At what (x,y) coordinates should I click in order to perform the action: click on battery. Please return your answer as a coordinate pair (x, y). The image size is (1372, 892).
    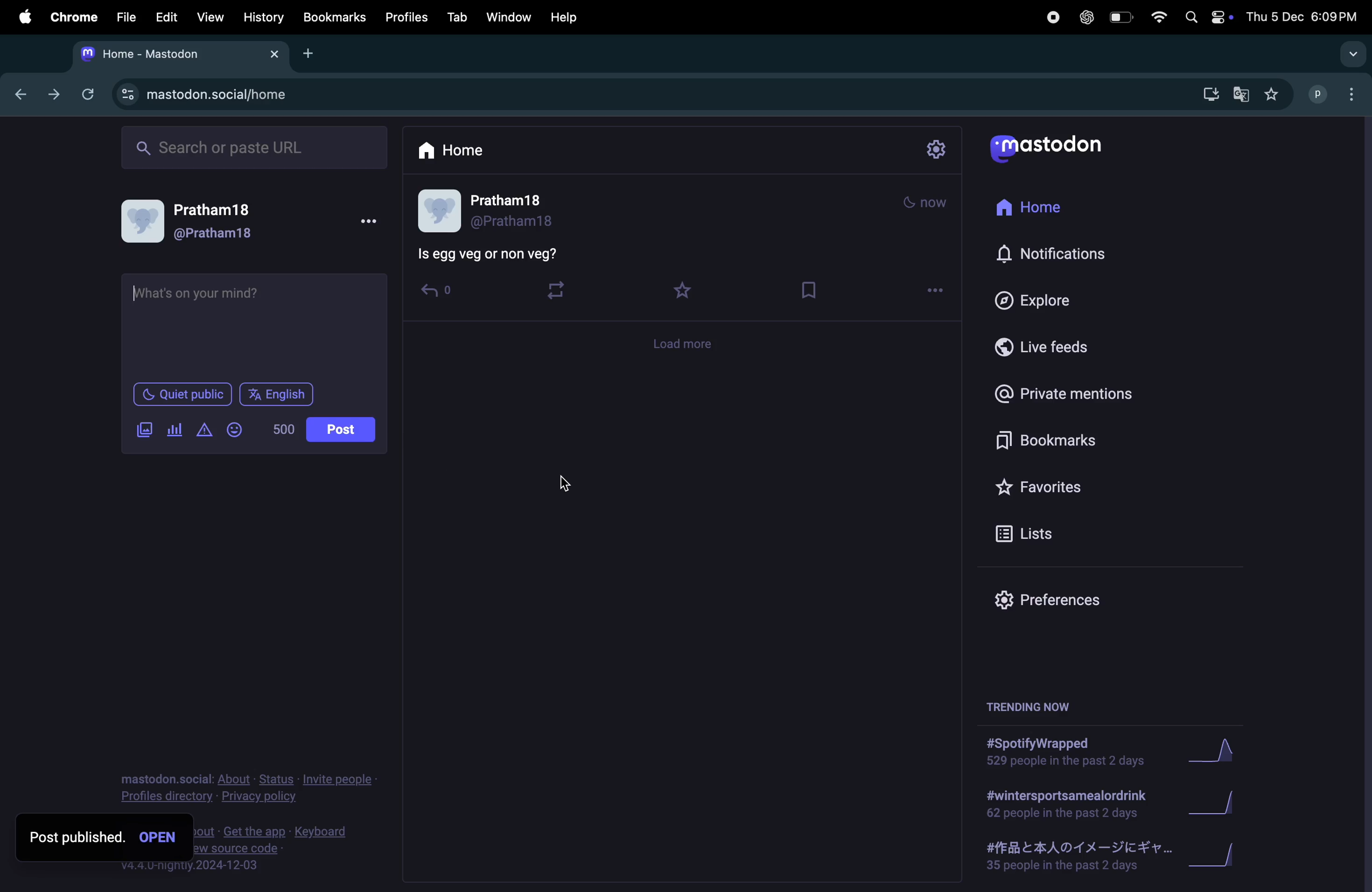
    Looking at the image, I should click on (1121, 18).